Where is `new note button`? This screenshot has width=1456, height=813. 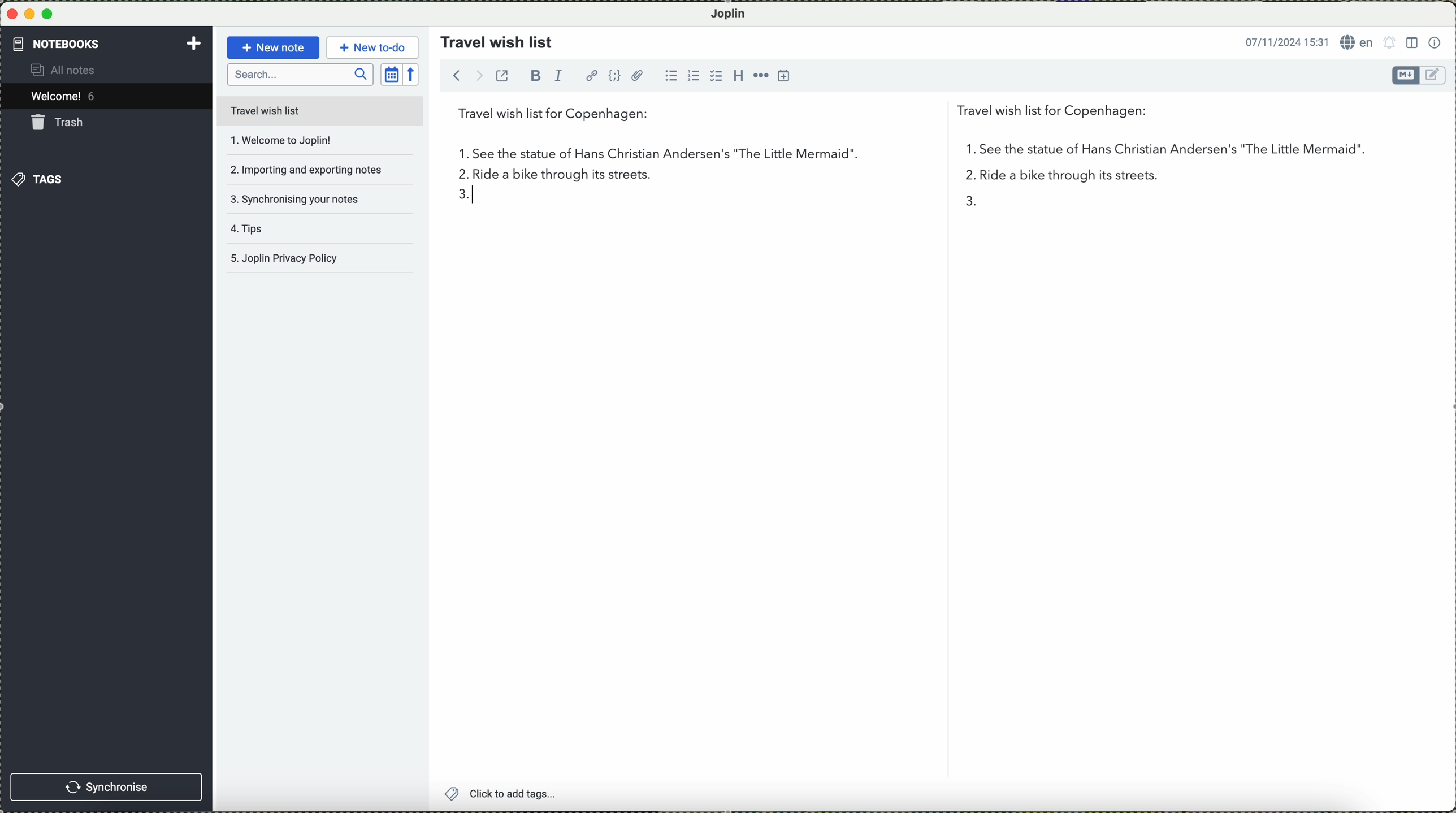 new note button is located at coordinates (271, 47).